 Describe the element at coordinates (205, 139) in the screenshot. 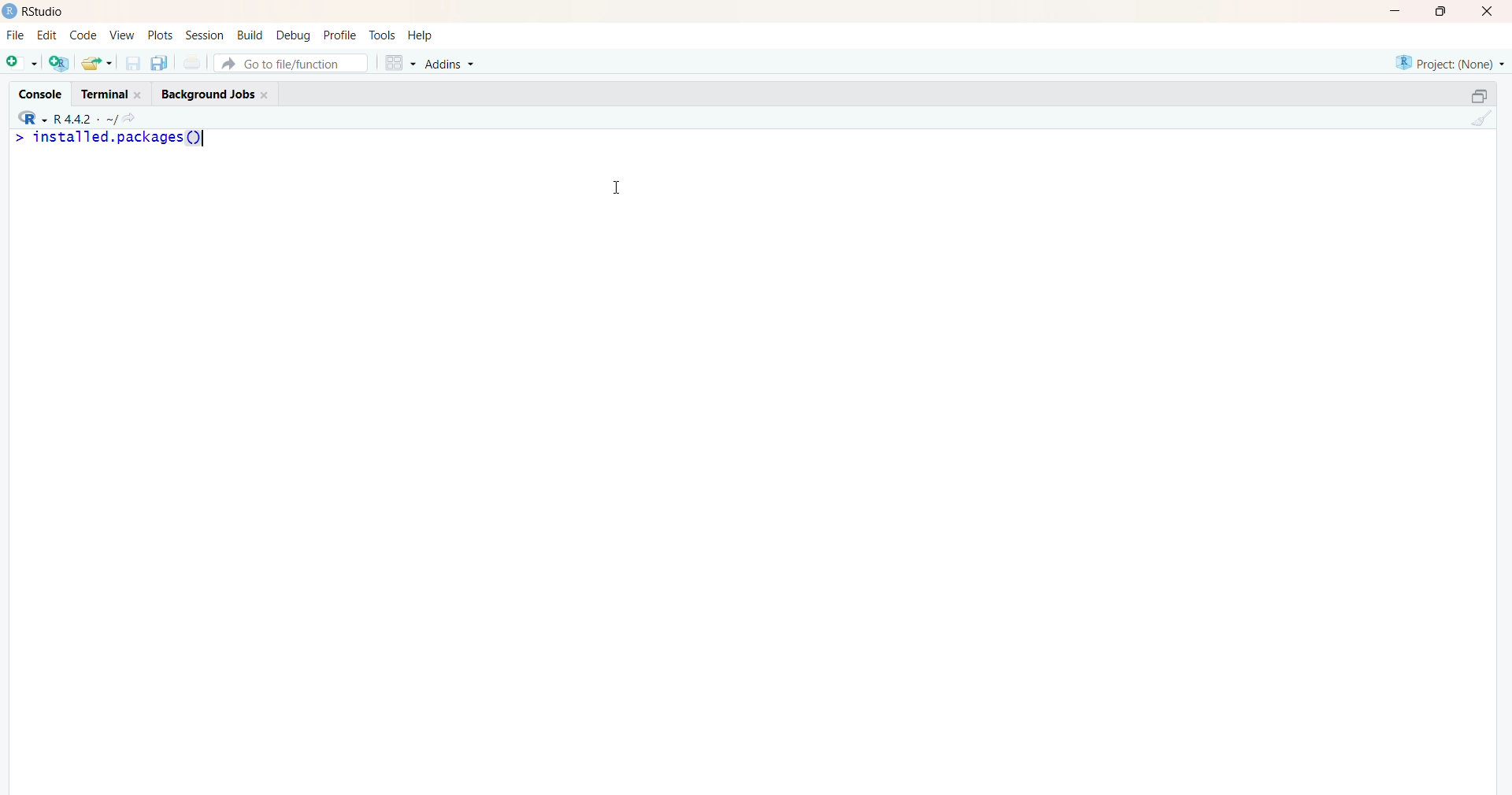

I see `text cursor` at that location.